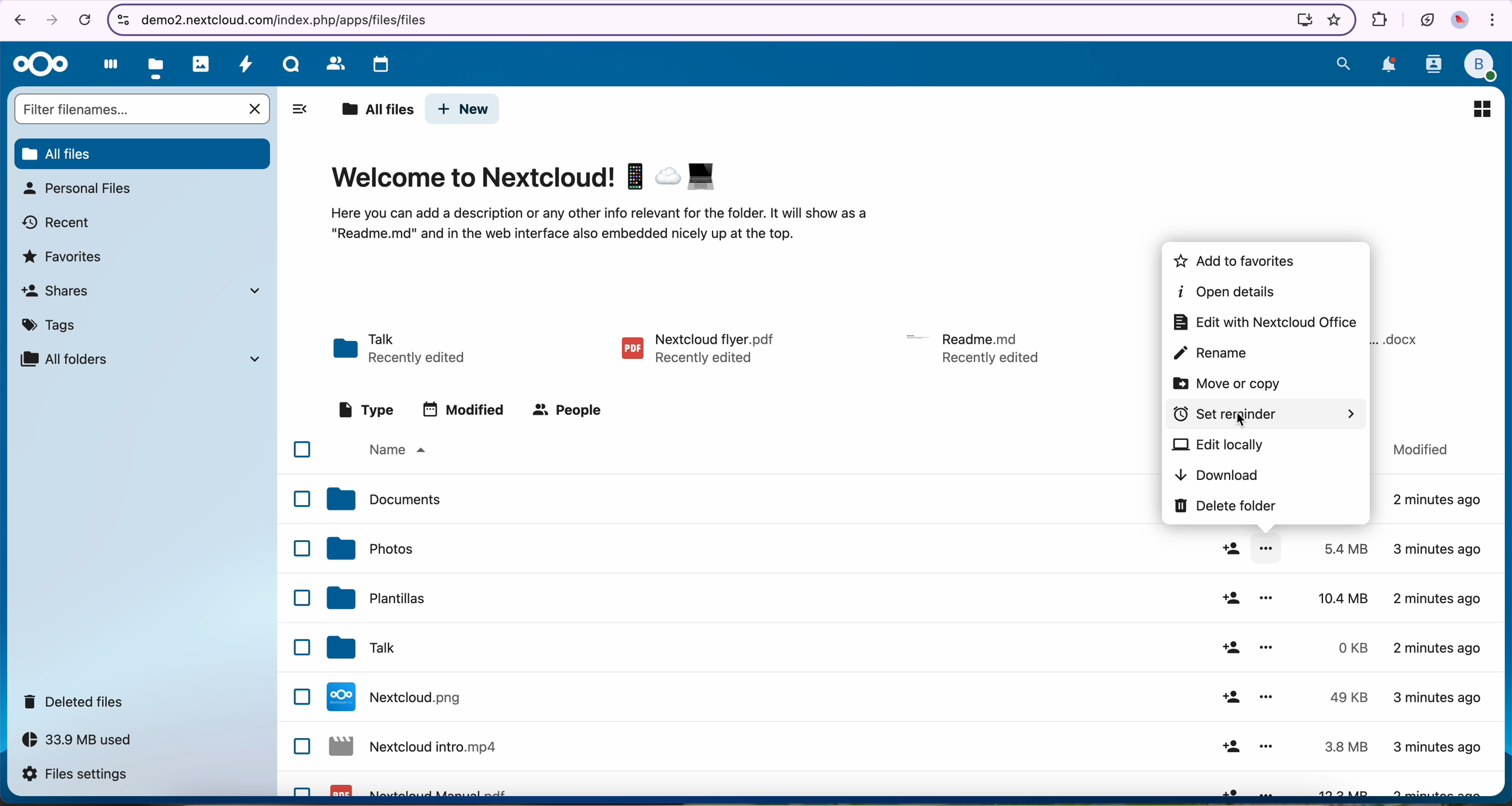  What do you see at coordinates (202, 63) in the screenshot?
I see `photos` at bounding box center [202, 63].